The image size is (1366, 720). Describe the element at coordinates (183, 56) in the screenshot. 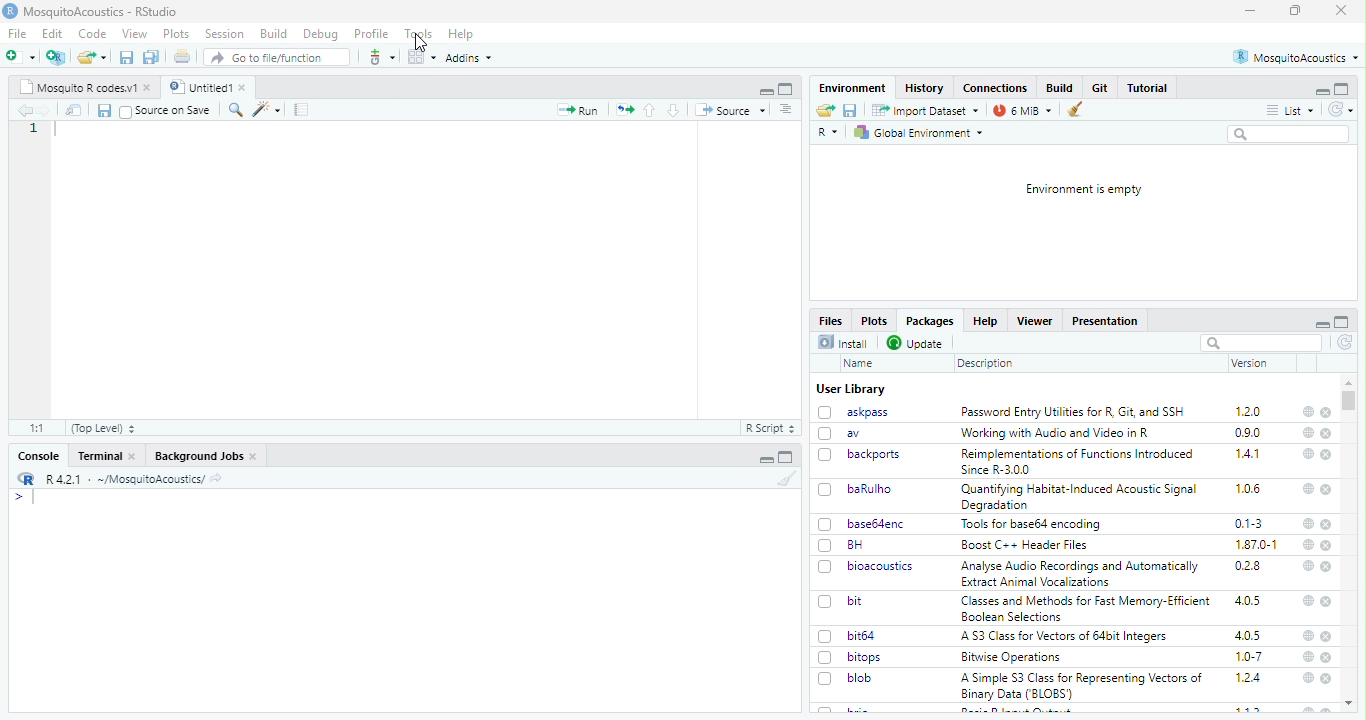

I see `print` at that location.